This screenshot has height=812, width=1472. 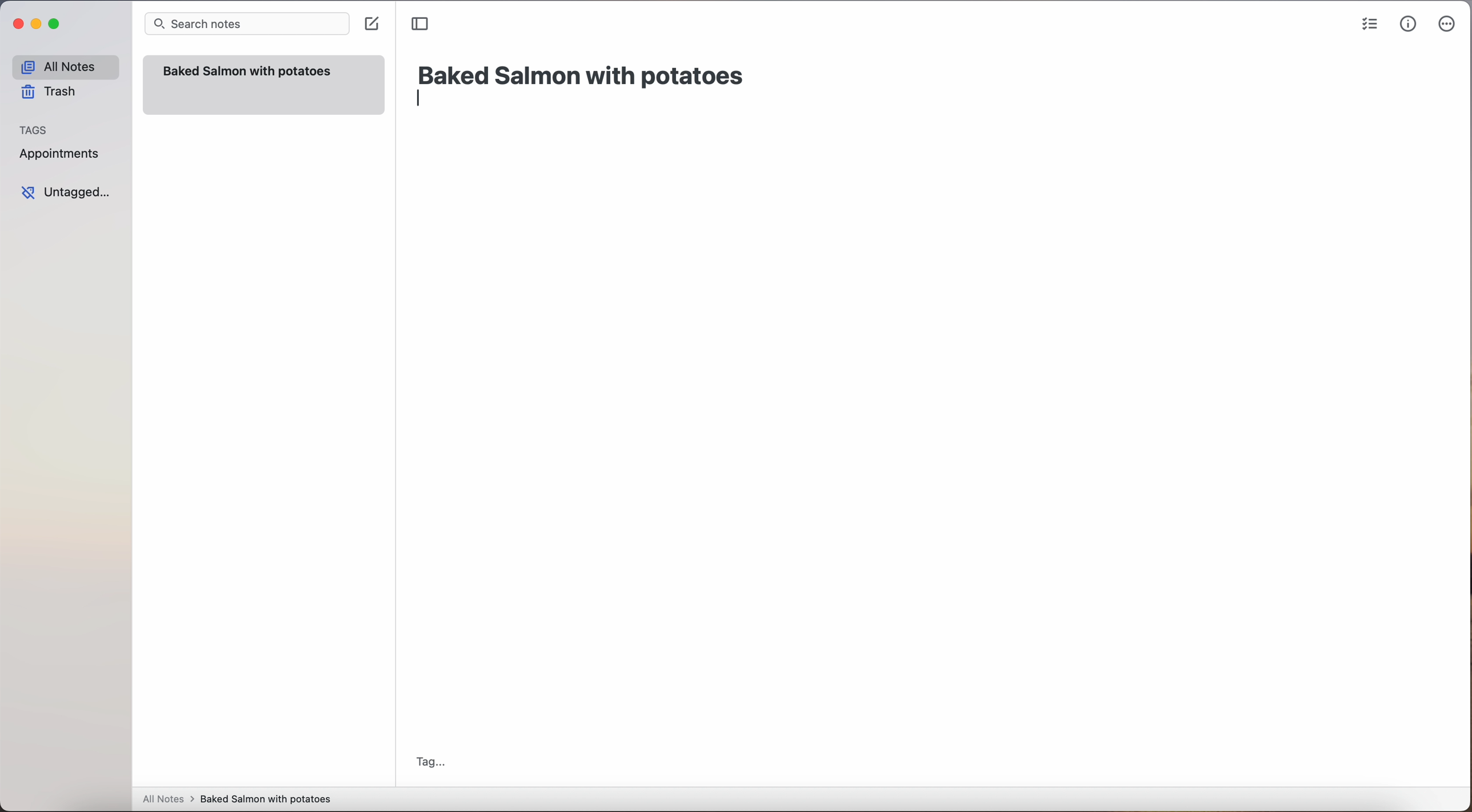 I want to click on more options, so click(x=1449, y=25).